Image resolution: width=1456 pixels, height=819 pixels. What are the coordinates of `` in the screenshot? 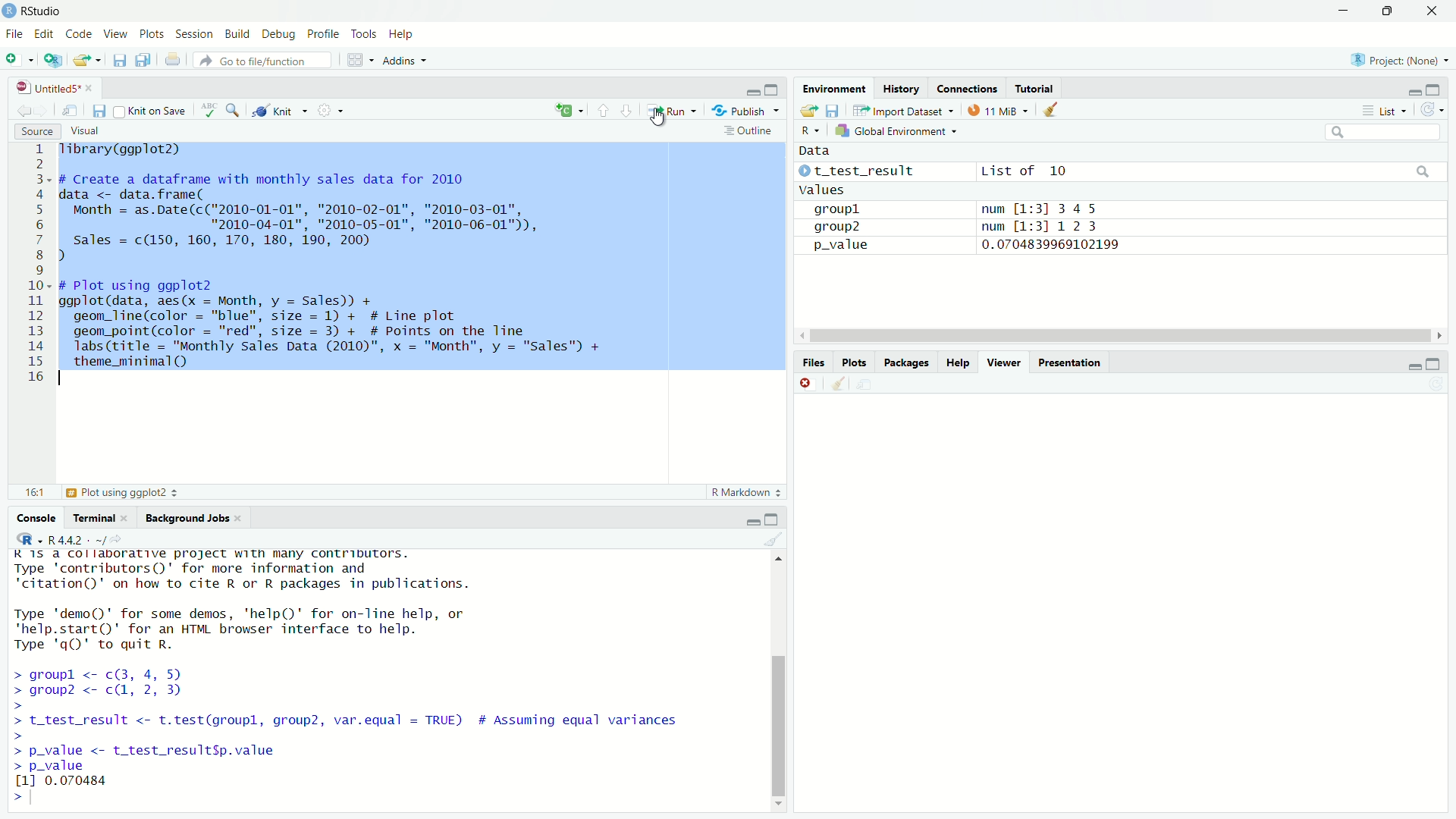 It's located at (1378, 130).